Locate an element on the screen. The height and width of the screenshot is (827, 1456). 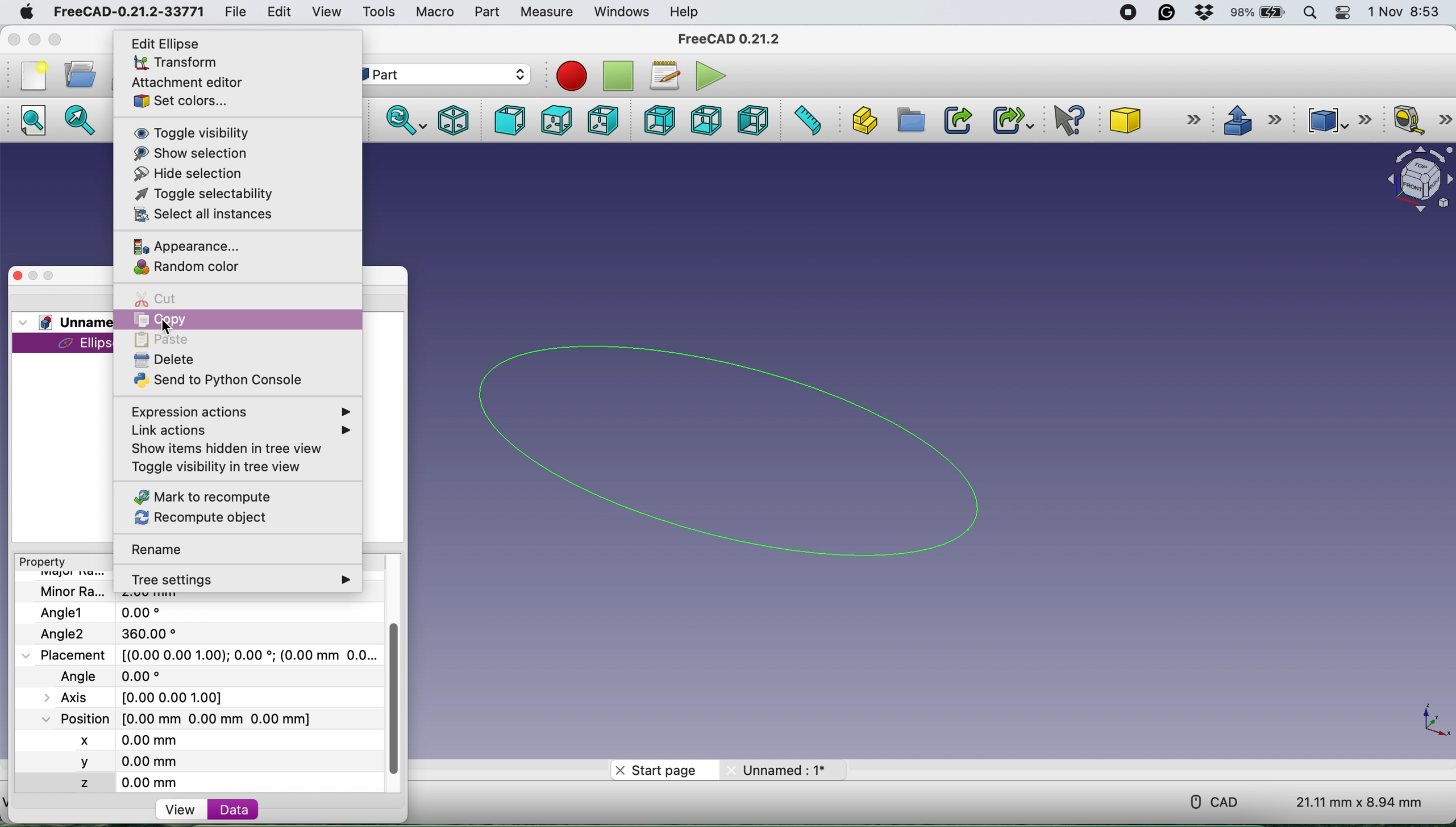
object interface is located at coordinates (1411, 177).